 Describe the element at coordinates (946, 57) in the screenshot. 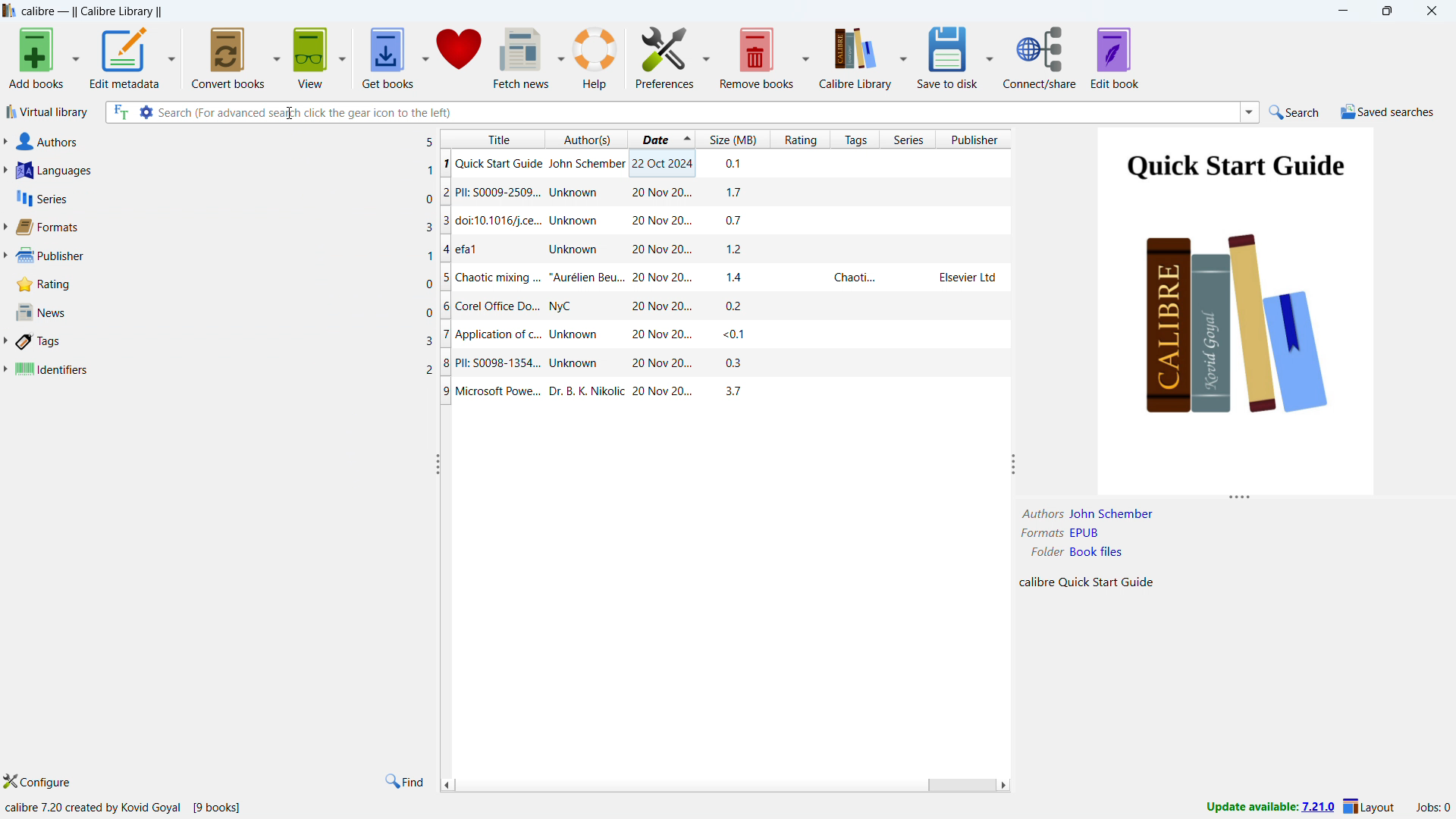

I see `save to disk` at that location.